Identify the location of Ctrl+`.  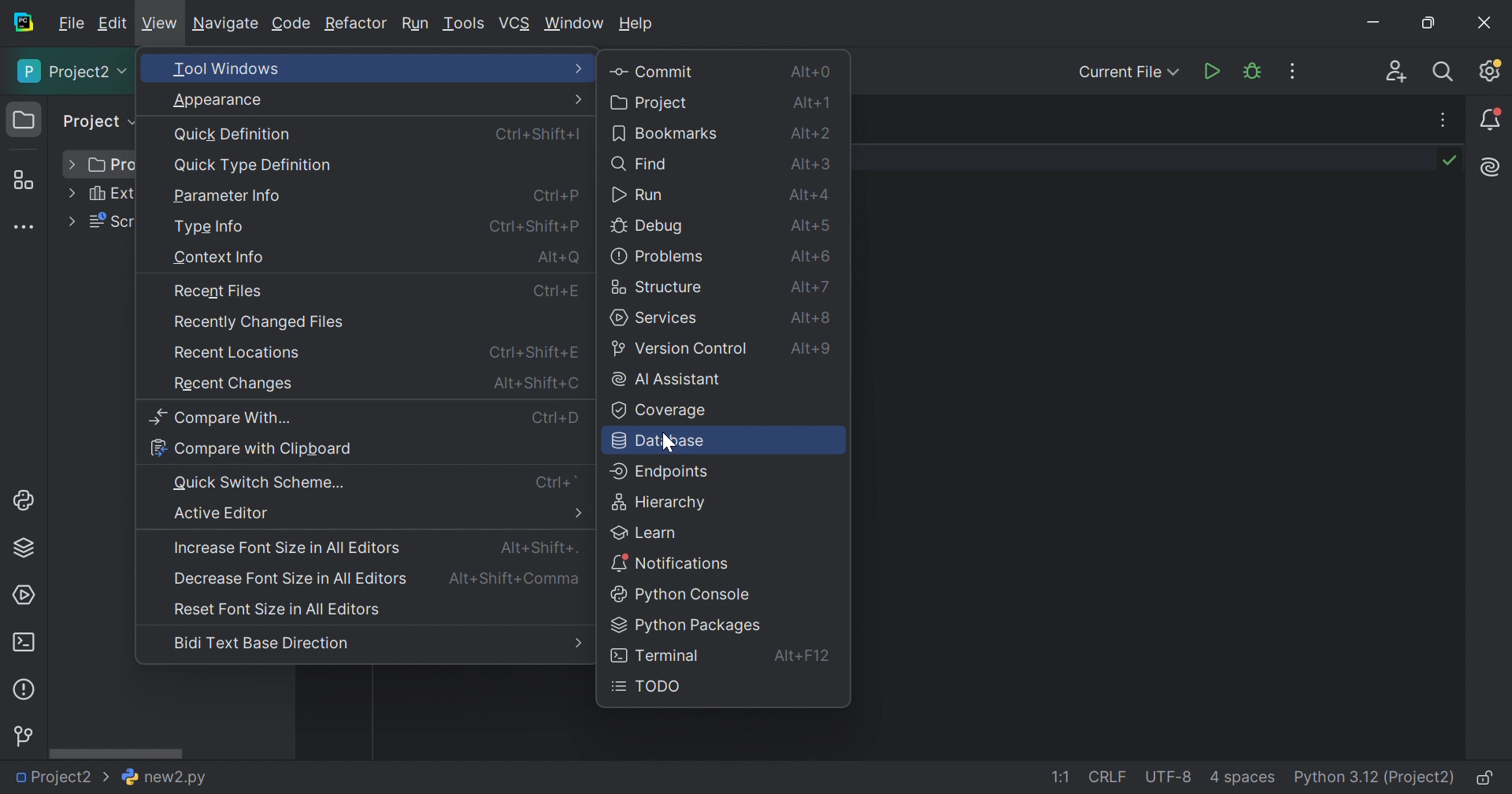
(562, 481).